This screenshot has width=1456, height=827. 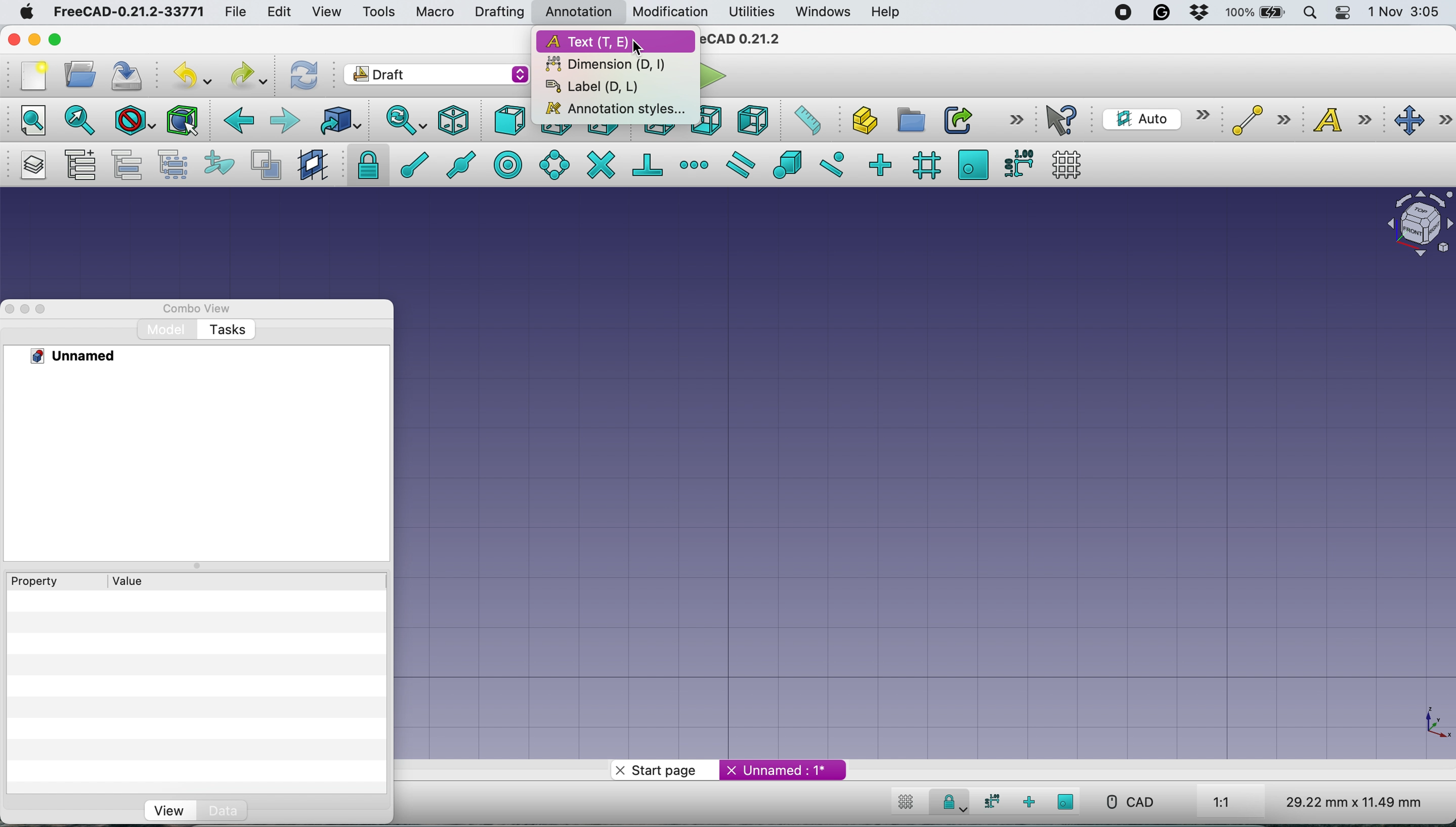 What do you see at coordinates (506, 168) in the screenshot?
I see `snap center` at bounding box center [506, 168].